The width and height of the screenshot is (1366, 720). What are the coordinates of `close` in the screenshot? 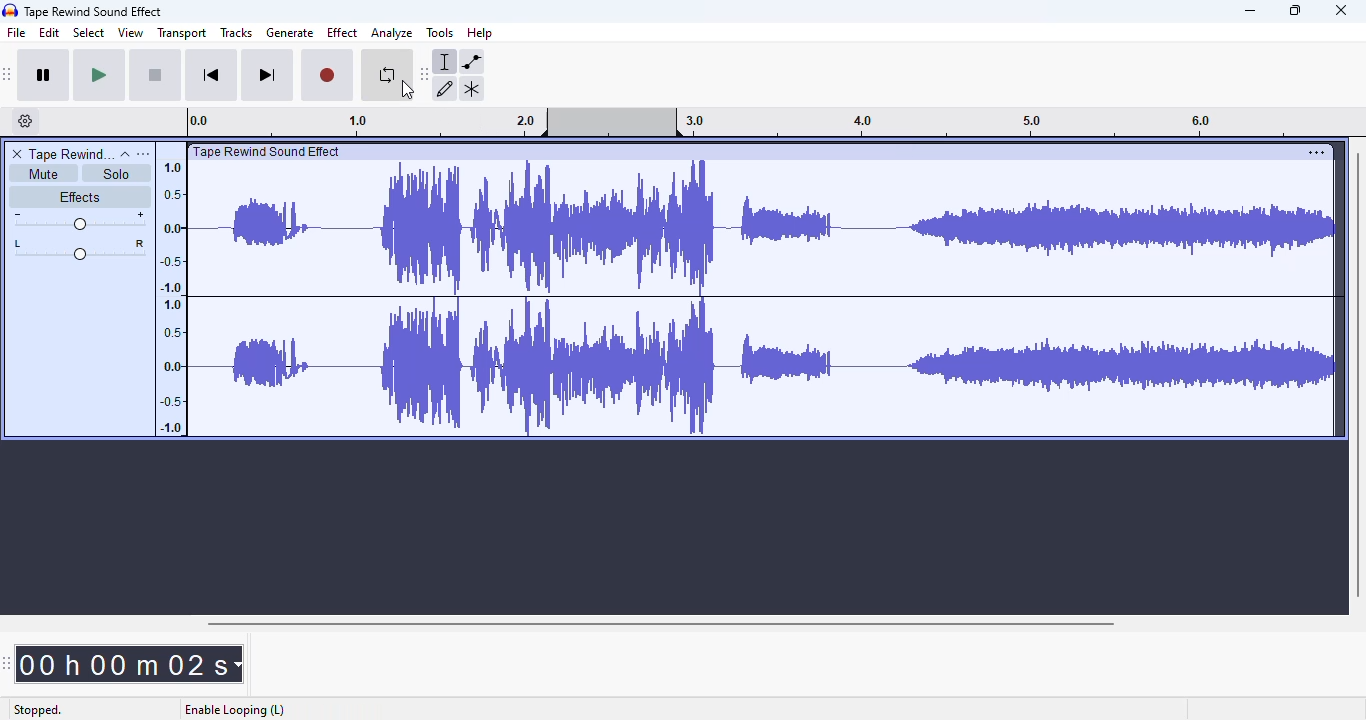 It's located at (1341, 10).